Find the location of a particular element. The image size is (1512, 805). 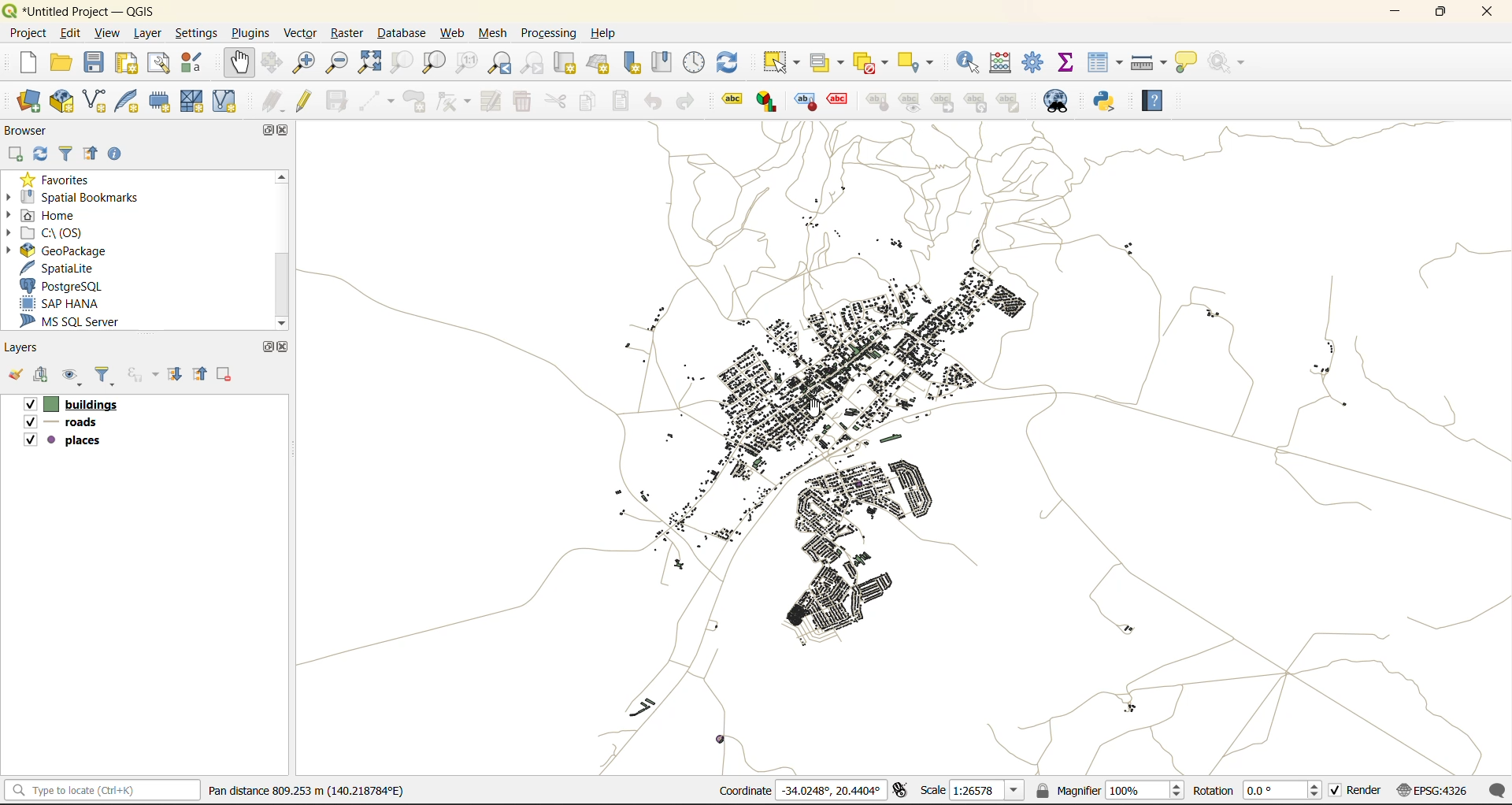

style is located at coordinates (880, 101).